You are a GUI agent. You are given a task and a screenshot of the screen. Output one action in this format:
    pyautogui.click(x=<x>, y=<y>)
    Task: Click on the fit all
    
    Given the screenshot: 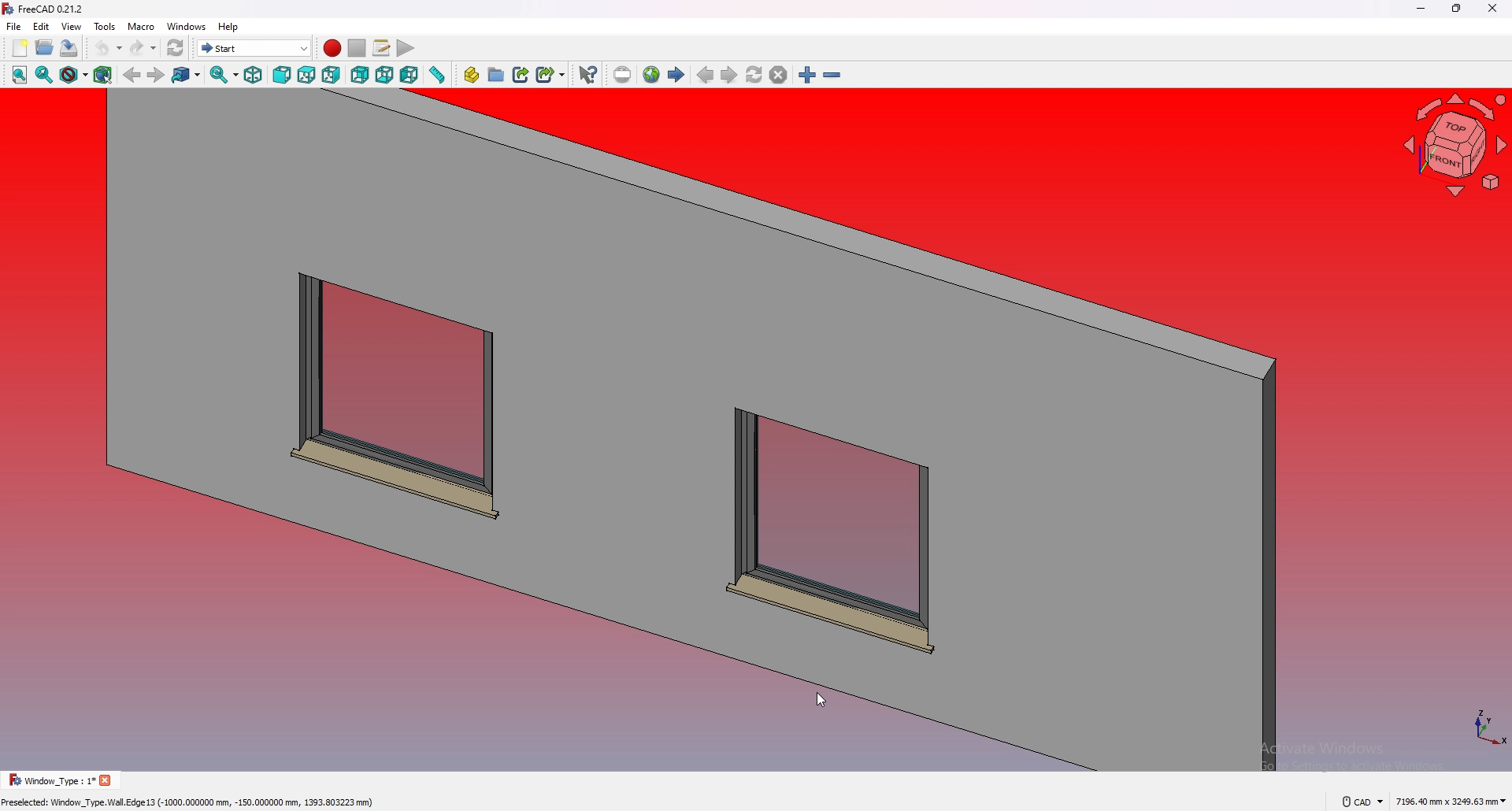 What is the action you would take?
    pyautogui.click(x=17, y=76)
    